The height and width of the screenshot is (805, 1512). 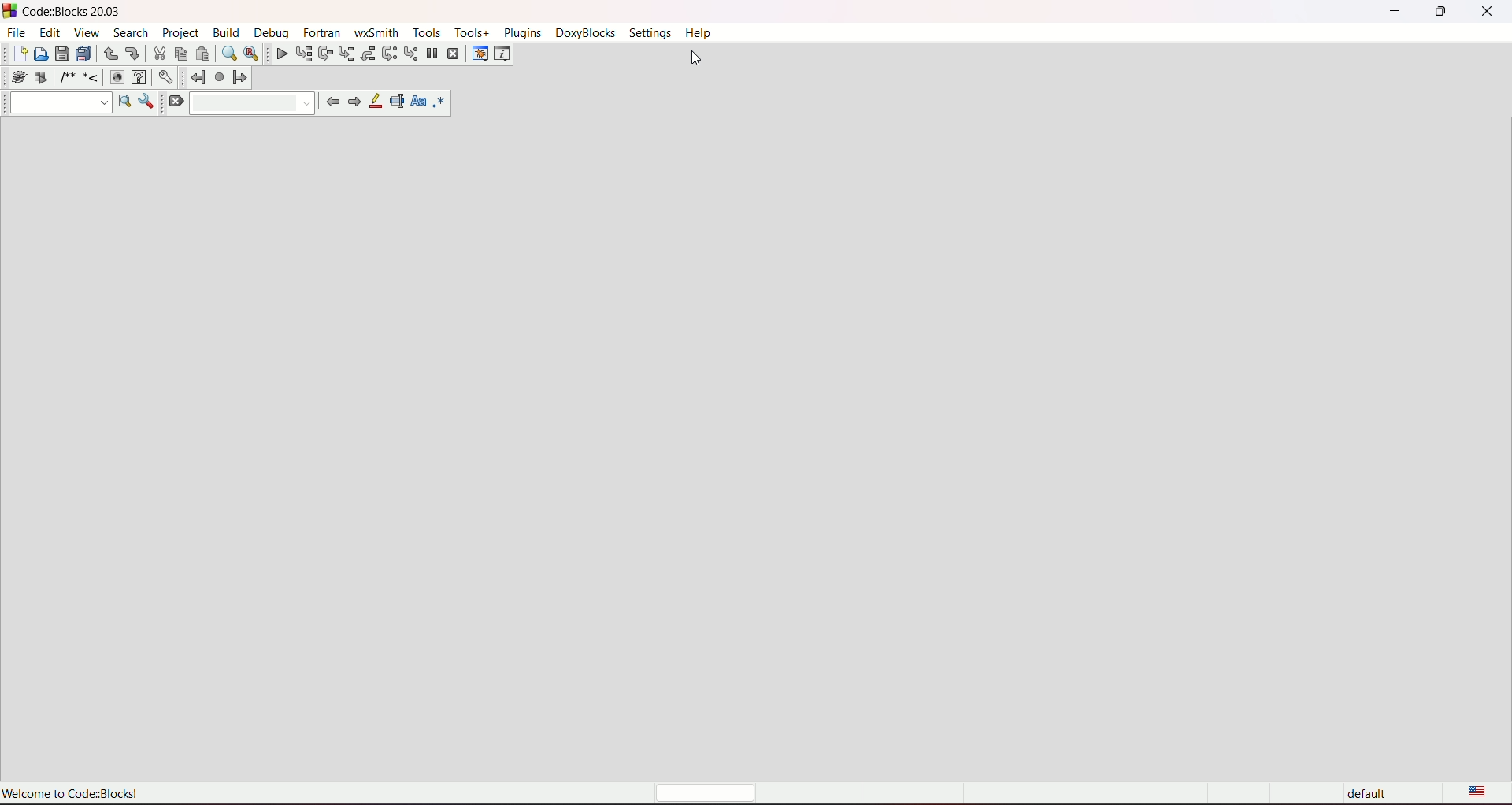 I want to click on debug, so click(x=280, y=53).